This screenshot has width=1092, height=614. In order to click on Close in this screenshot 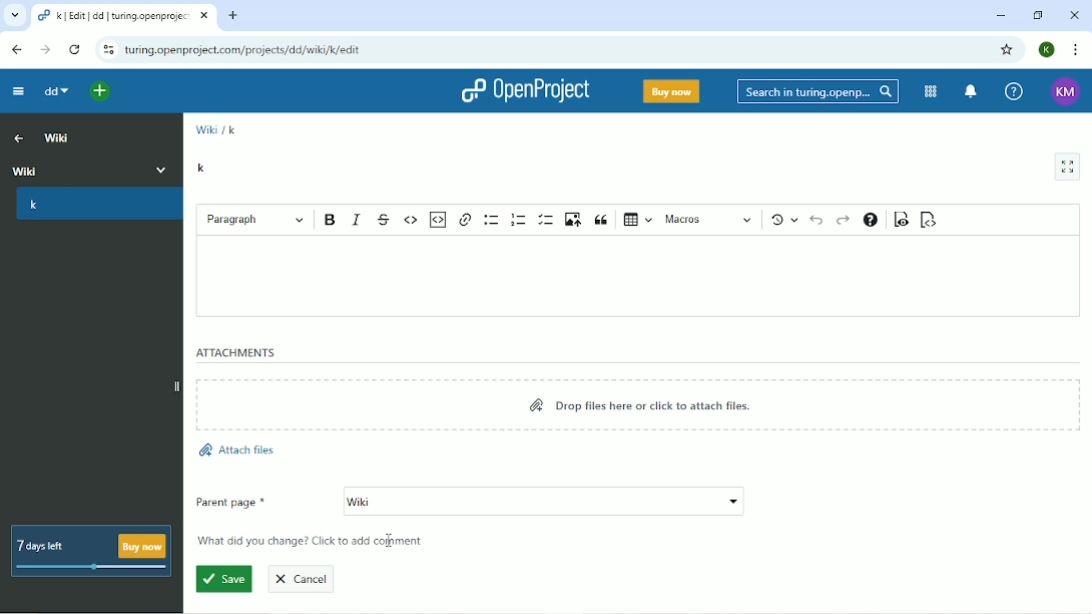, I will do `click(1074, 15)`.